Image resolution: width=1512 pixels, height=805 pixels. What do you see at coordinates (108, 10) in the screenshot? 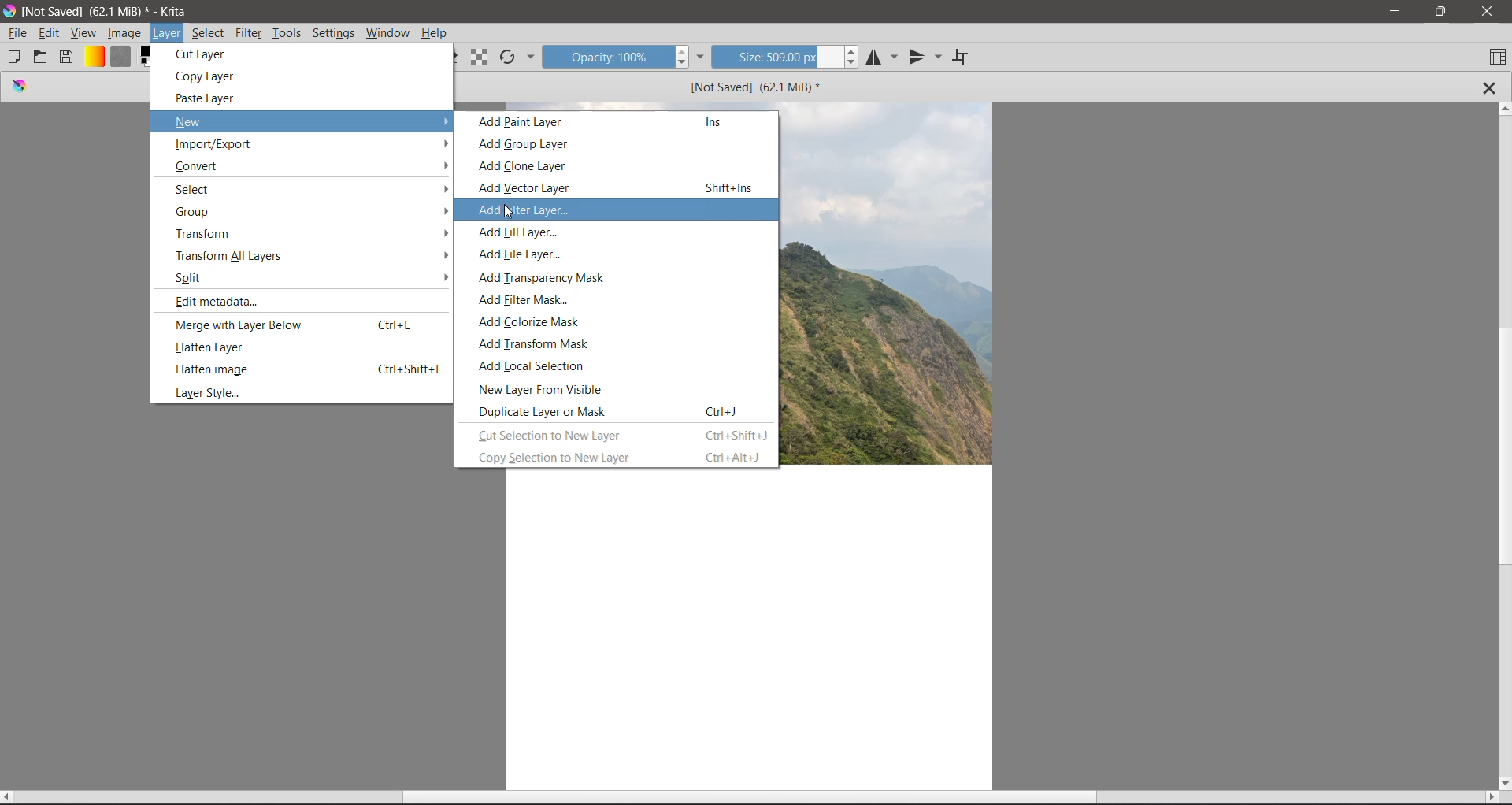
I see `Application Name` at bounding box center [108, 10].